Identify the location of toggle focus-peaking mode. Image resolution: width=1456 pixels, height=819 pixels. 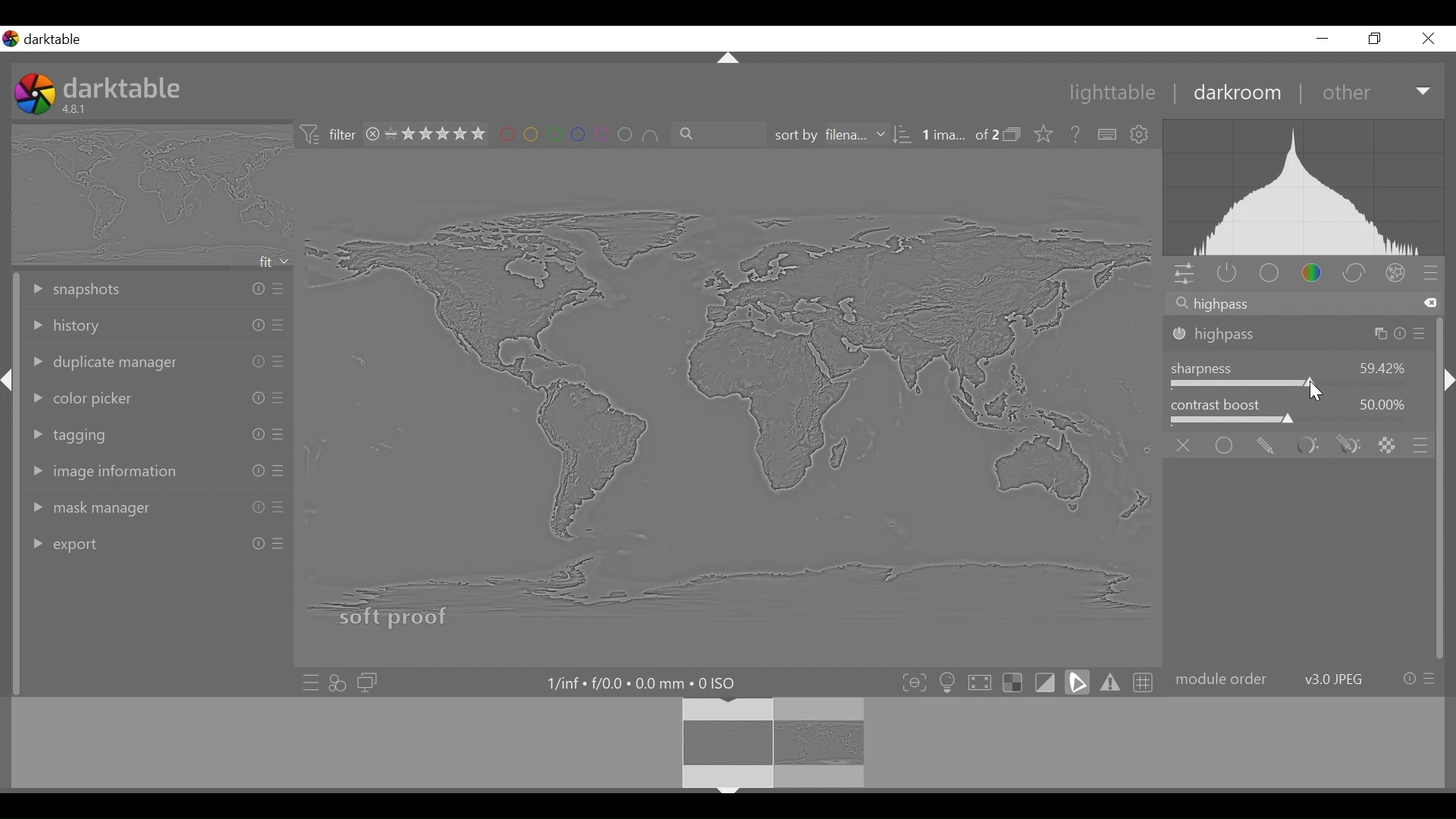
(912, 681).